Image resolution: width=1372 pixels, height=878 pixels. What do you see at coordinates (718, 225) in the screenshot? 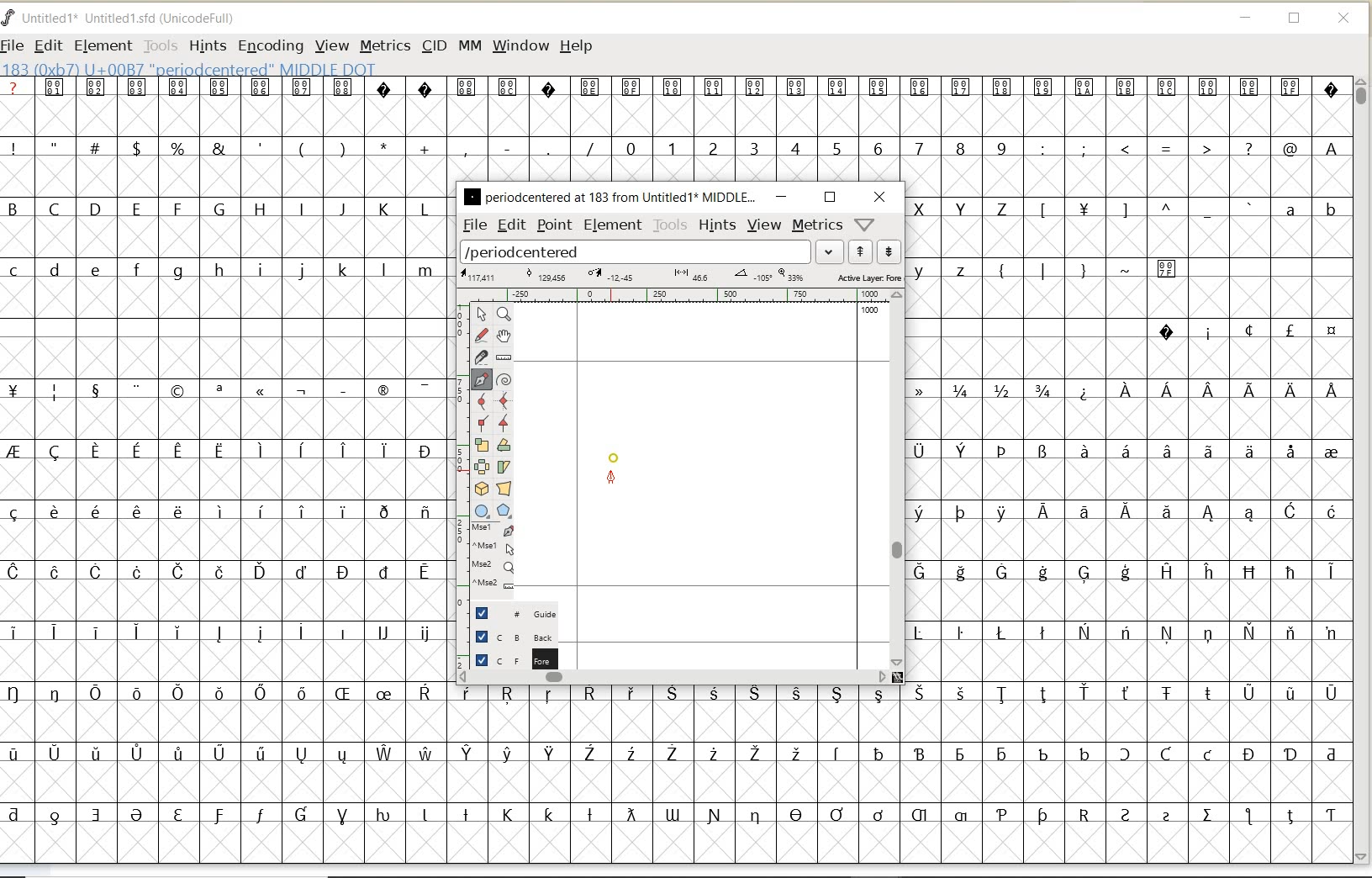
I see `hints` at bounding box center [718, 225].